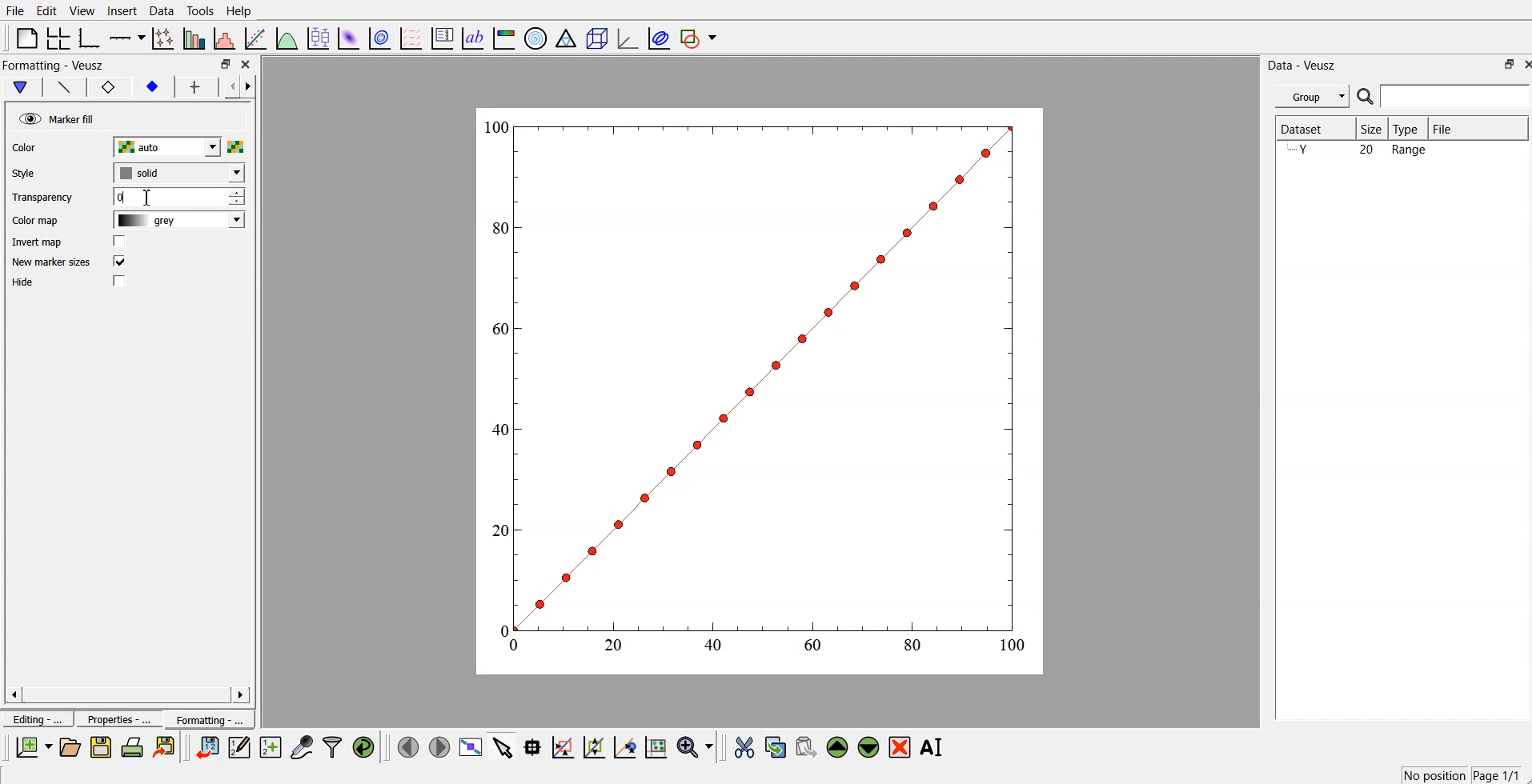 The height and width of the screenshot is (784, 1532). I want to click on read data point on the graph, so click(534, 746).